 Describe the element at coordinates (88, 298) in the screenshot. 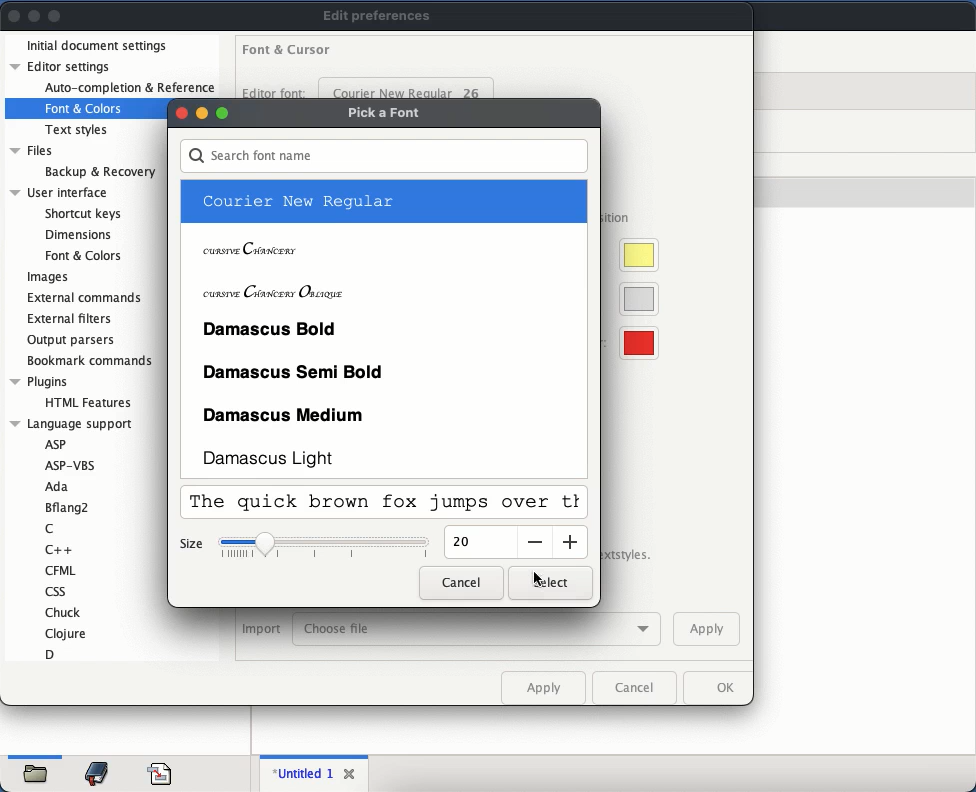

I see `external commands` at that location.